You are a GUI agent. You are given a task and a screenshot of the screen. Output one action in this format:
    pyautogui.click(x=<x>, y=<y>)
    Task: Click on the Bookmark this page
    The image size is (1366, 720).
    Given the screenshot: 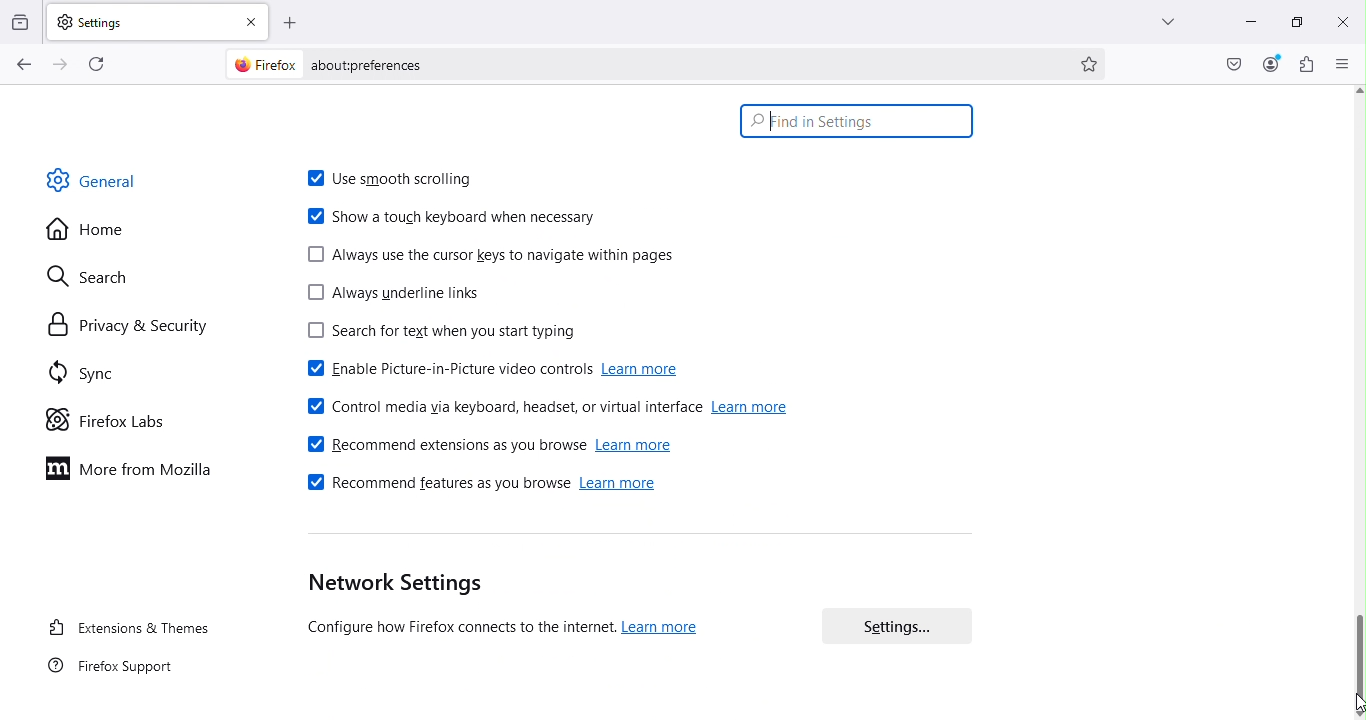 What is the action you would take?
    pyautogui.click(x=1093, y=66)
    